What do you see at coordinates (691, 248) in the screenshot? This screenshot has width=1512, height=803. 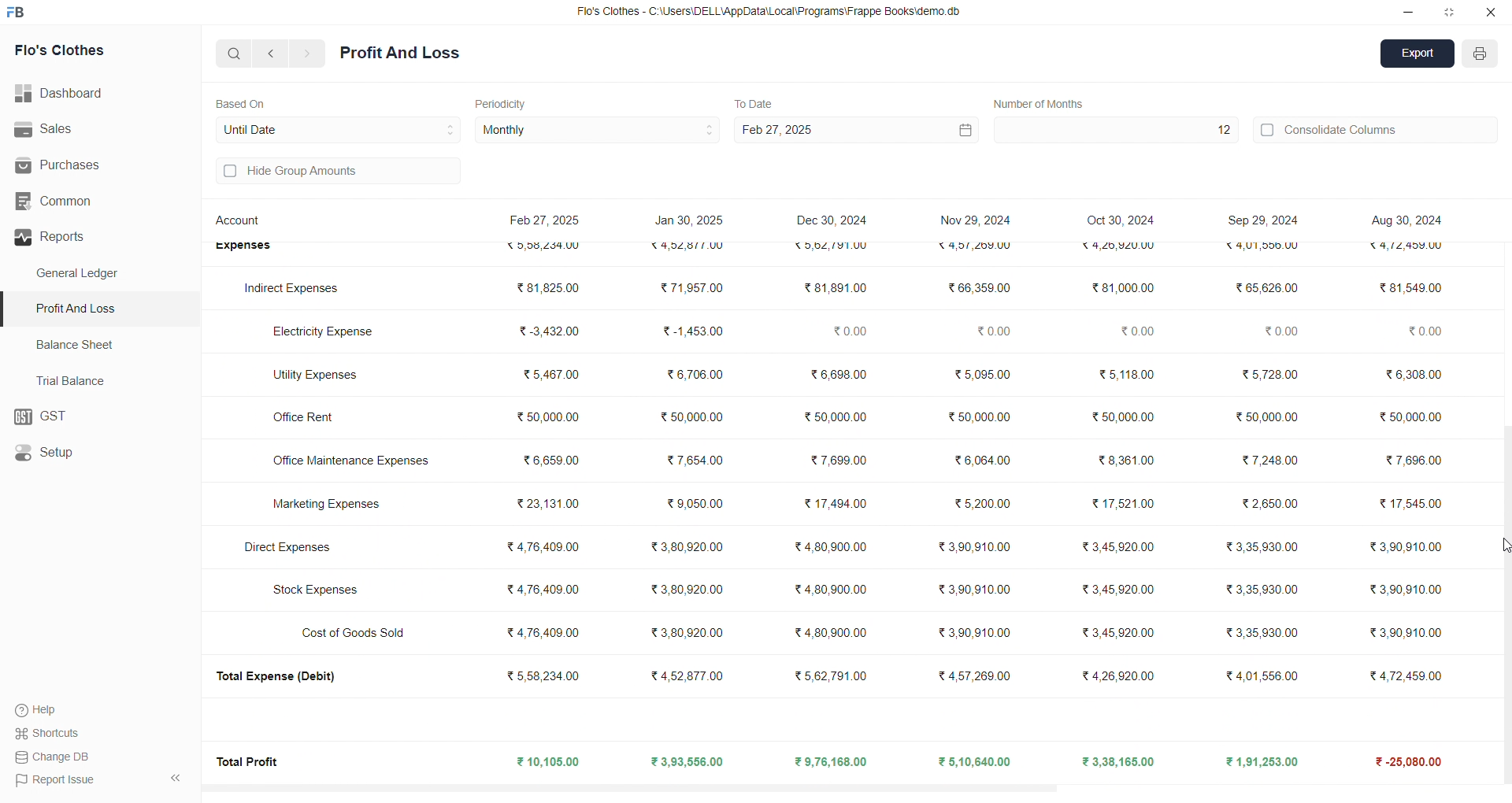 I see `₹4,52,877.00` at bounding box center [691, 248].